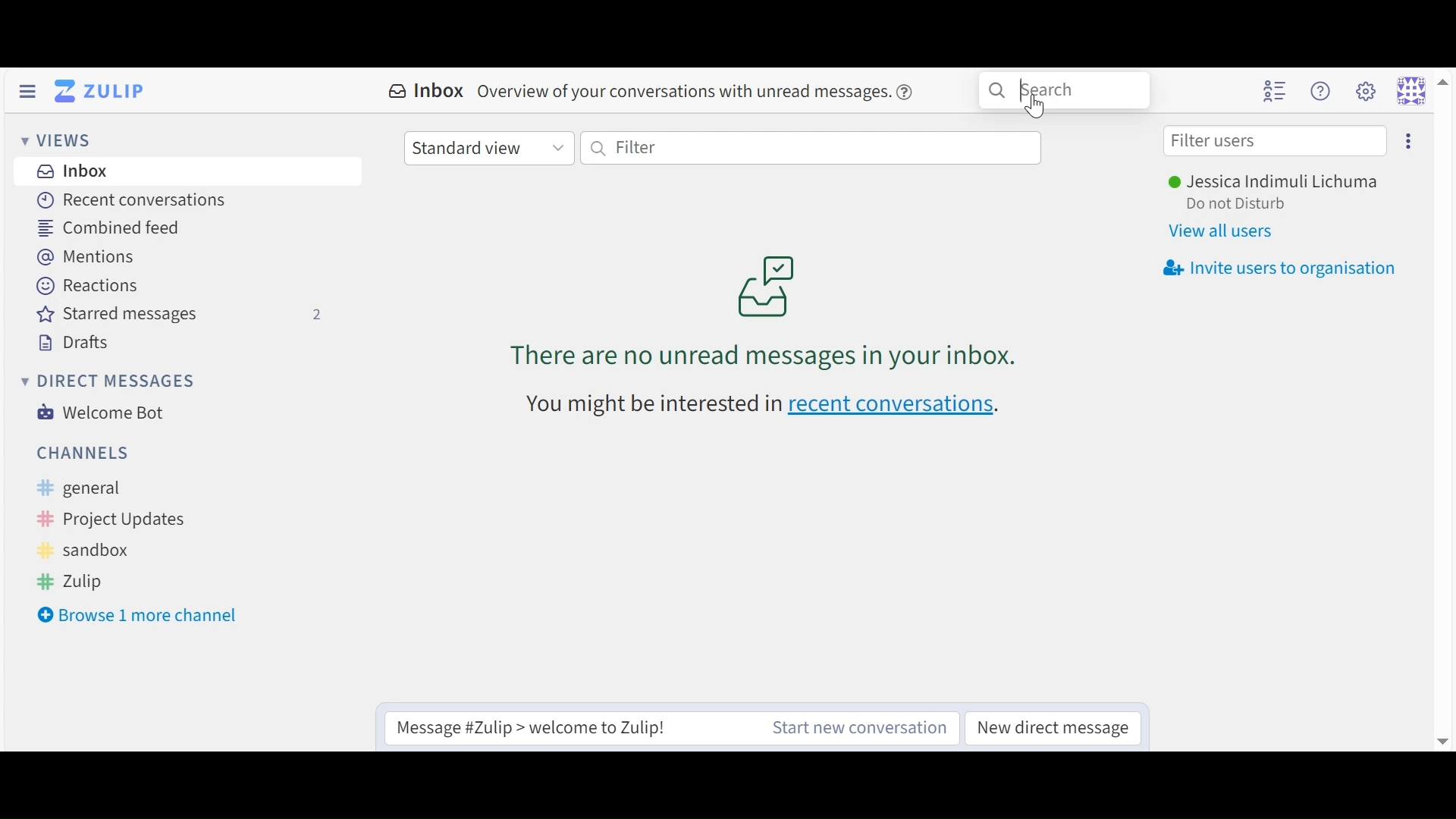  I want to click on Reactions, so click(90, 287).